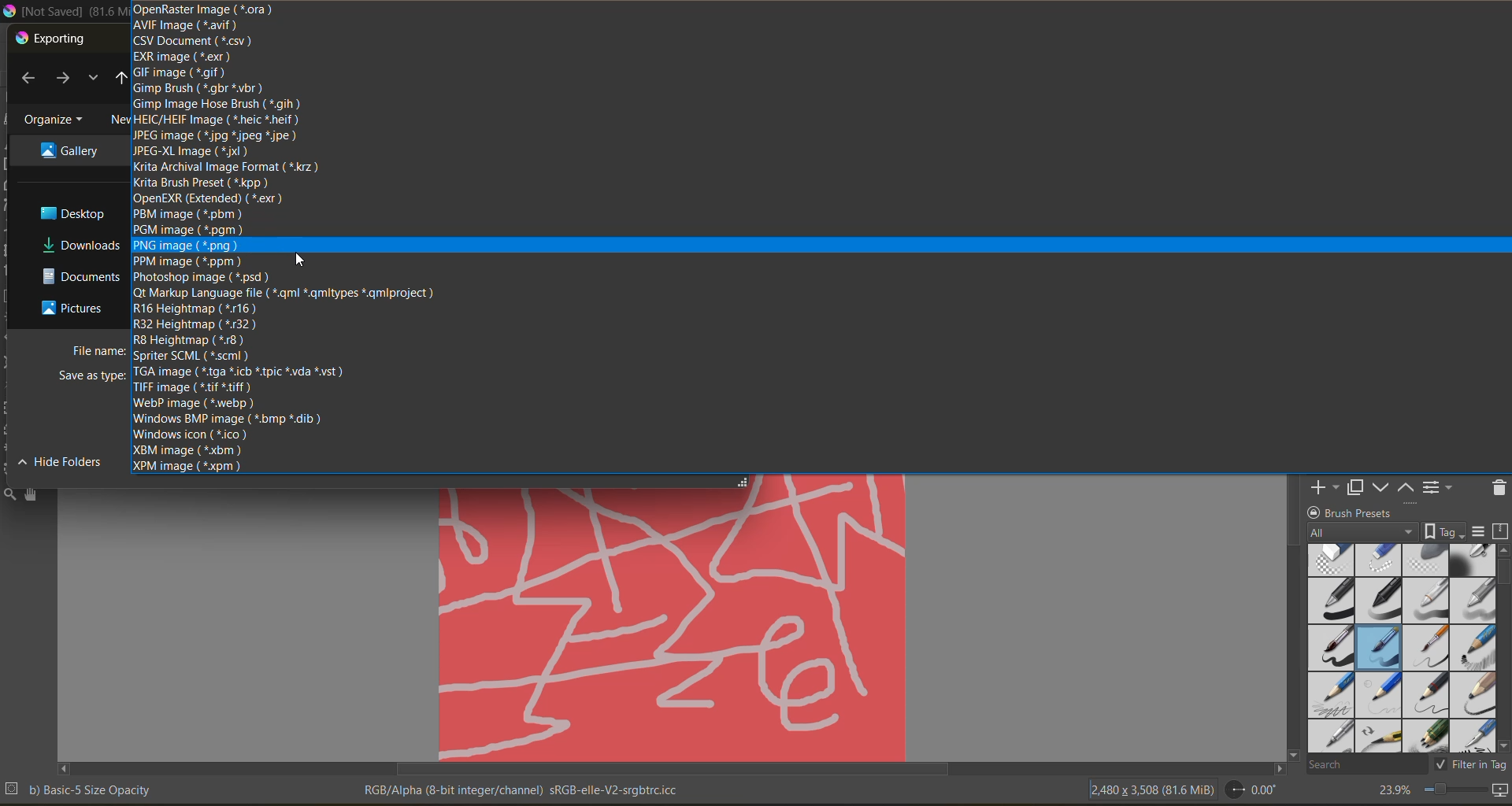 This screenshot has width=1512, height=806. Describe the element at coordinates (1366, 763) in the screenshot. I see `search` at that location.